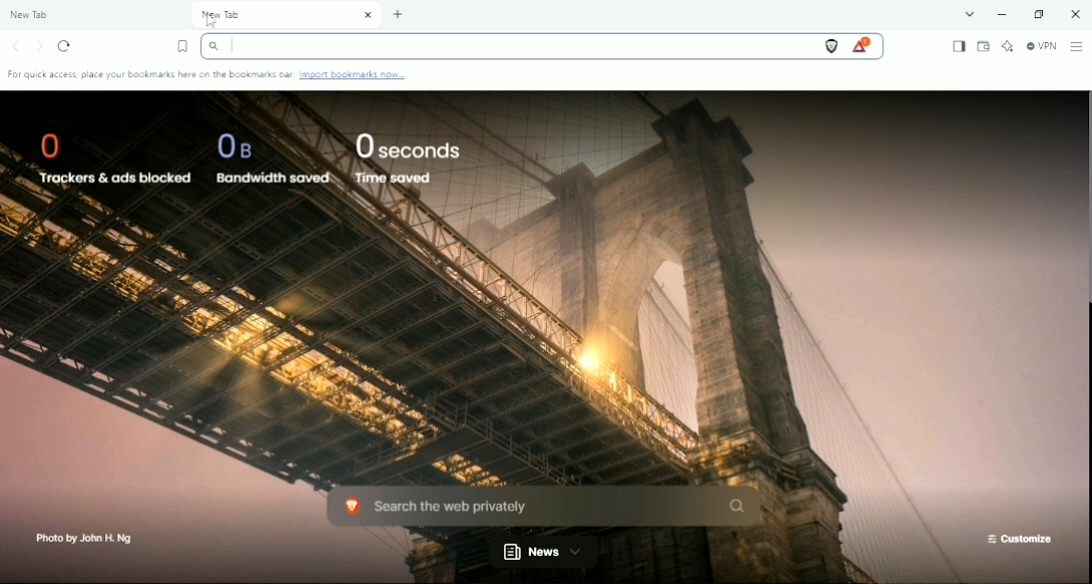  I want to click on Close, so click(1074, 13).